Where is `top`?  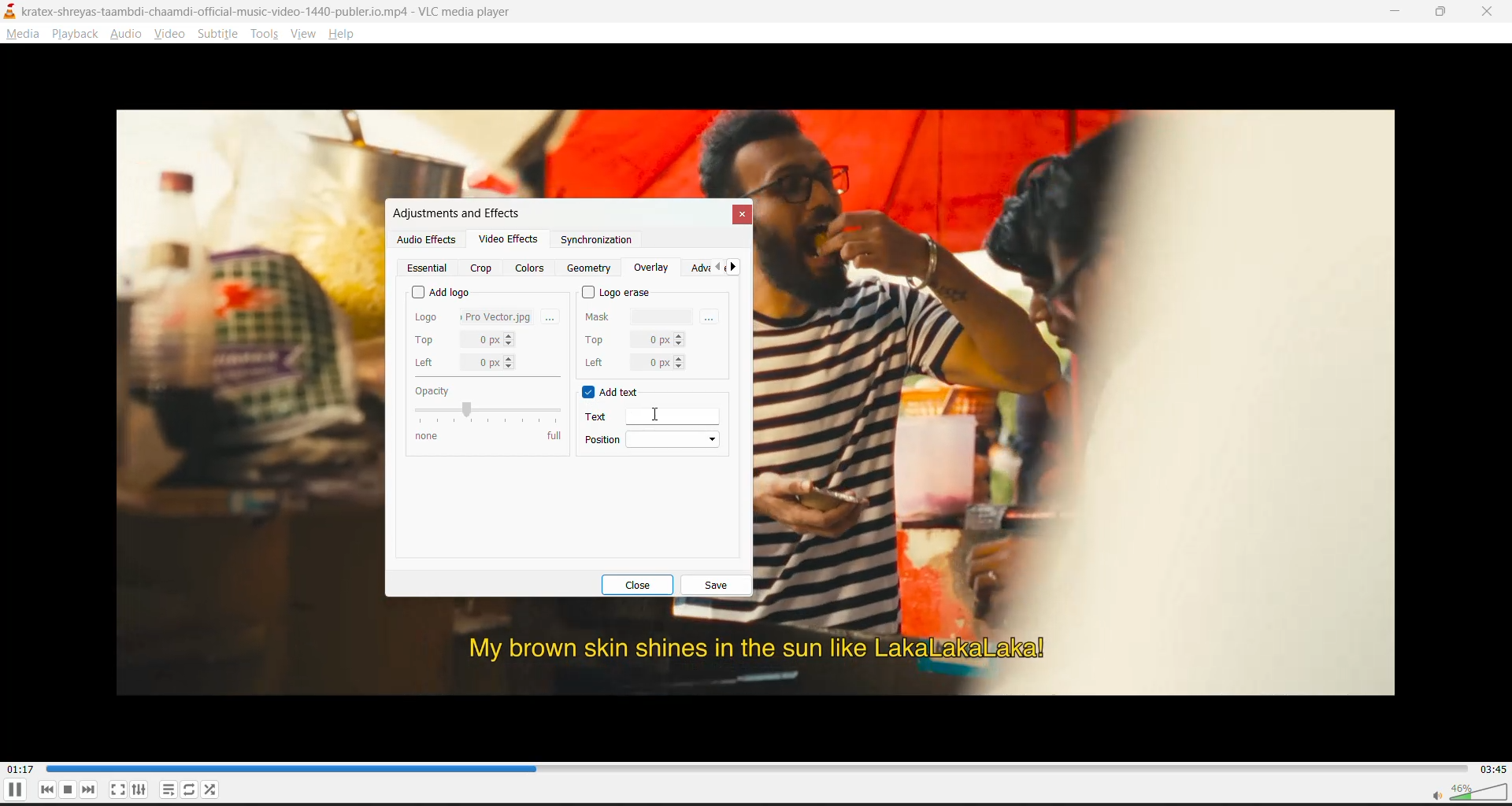
top is located at coordinates (634, 338).